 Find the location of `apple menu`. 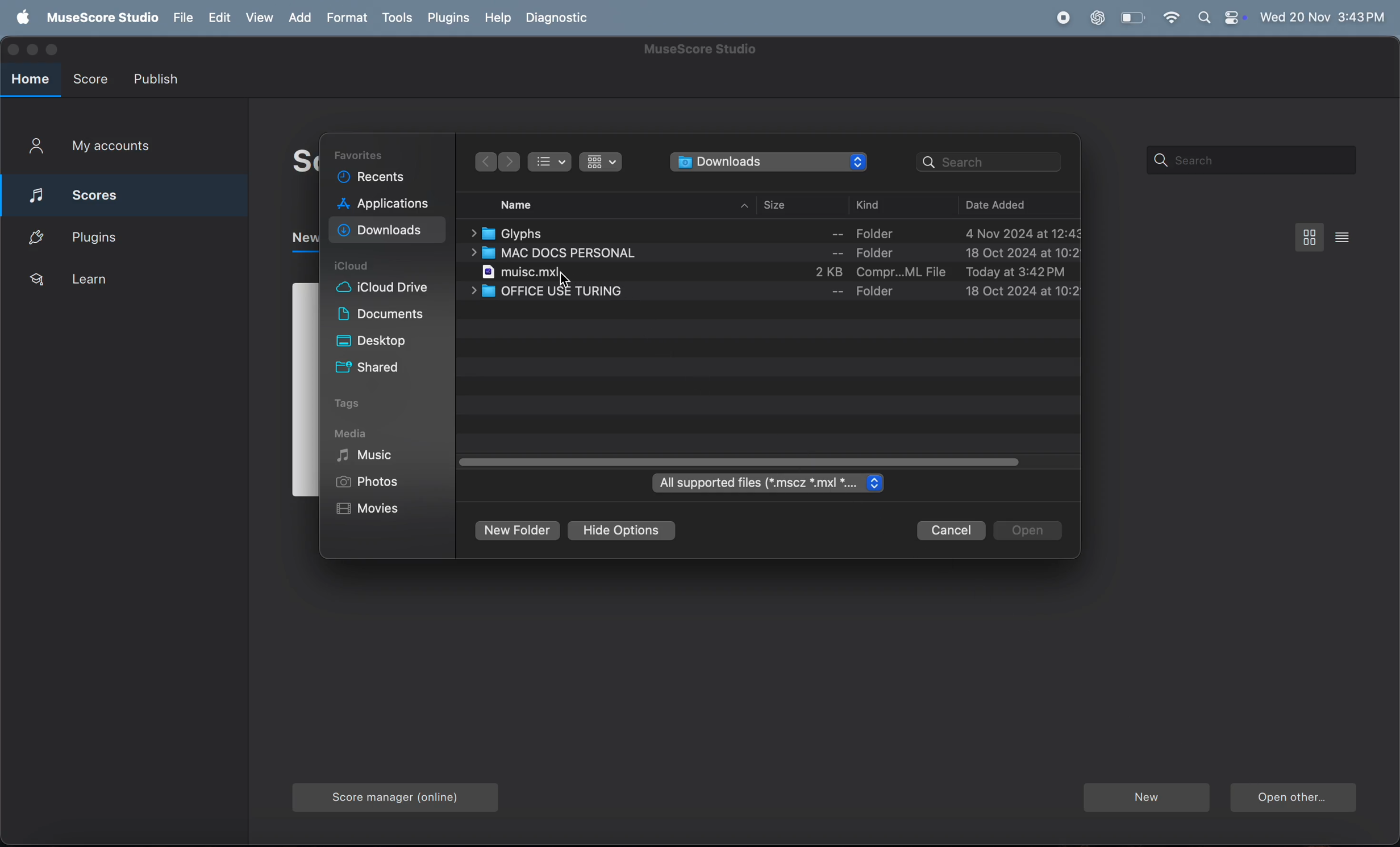

apple menu is located at coordinates (21, 16).